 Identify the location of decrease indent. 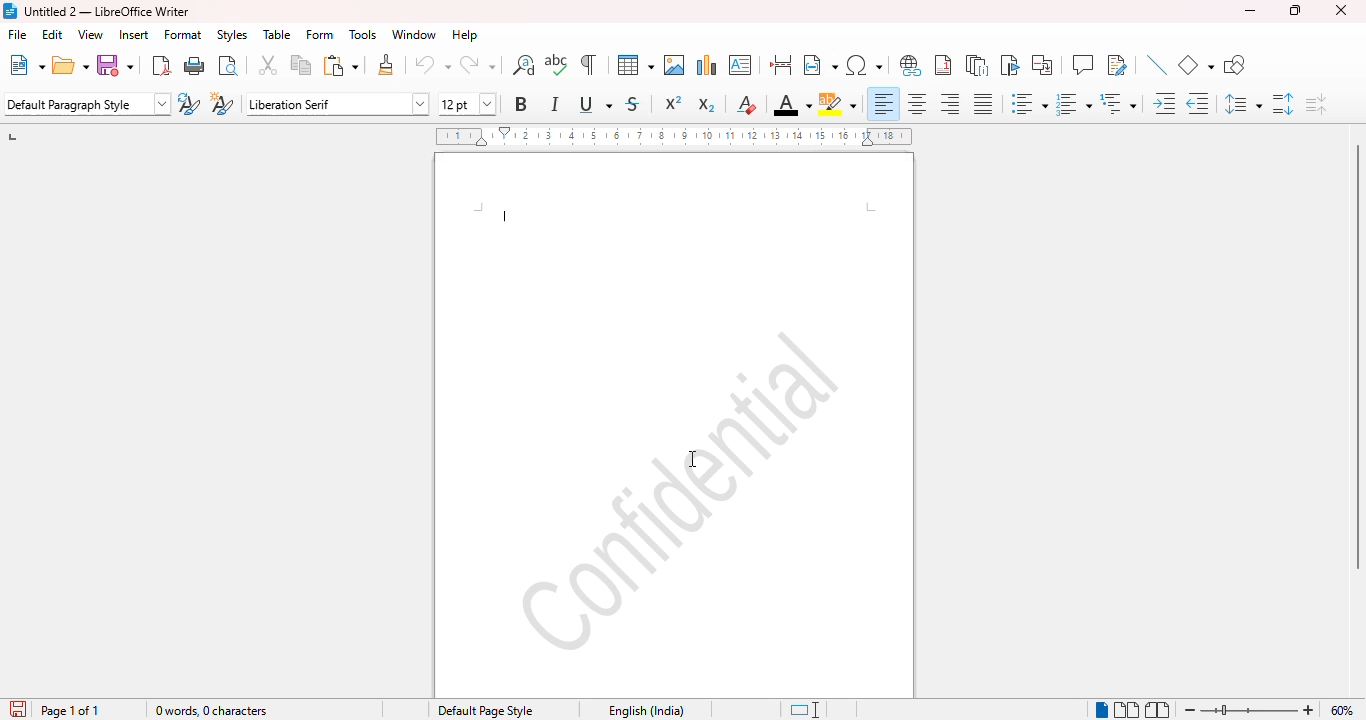
(1197, 104).